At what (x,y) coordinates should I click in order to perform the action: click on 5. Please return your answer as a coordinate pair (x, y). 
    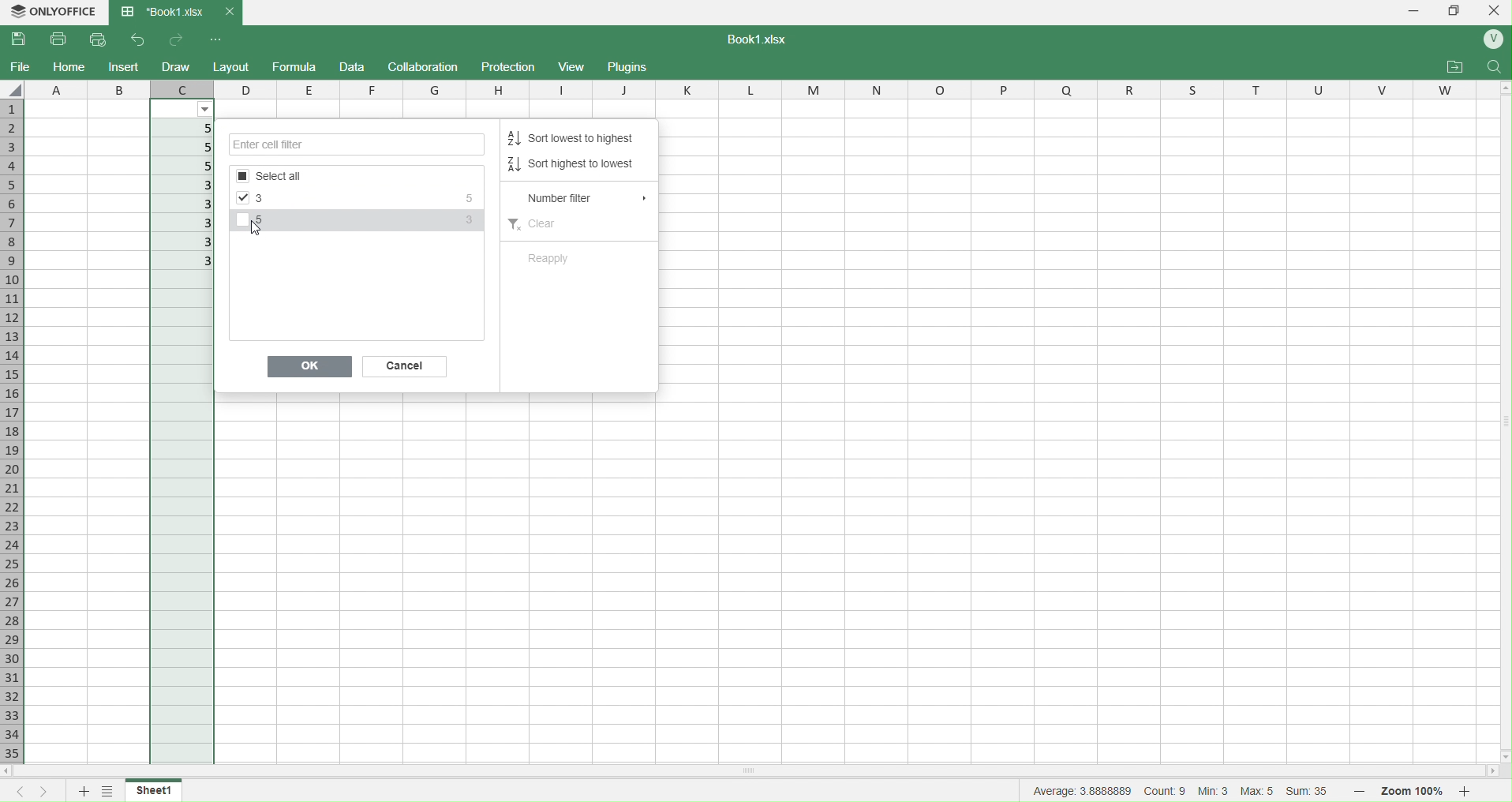
    Looking at the image, I should click on (462, 200).